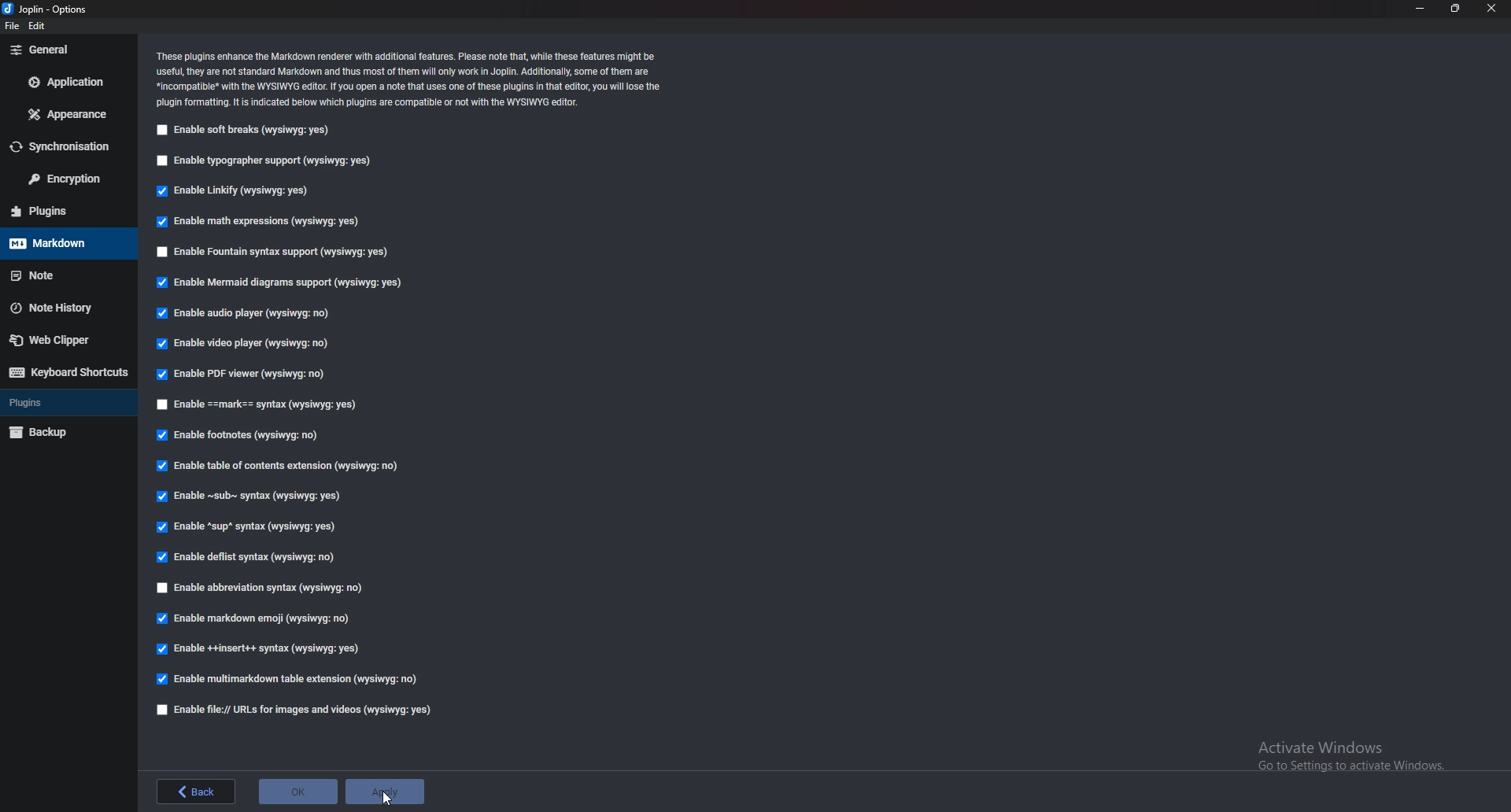 The image size is (1511, 812). Describe the element at coordinates (266, 220) in the screenshot. I see `Enable math expressions` at that location.